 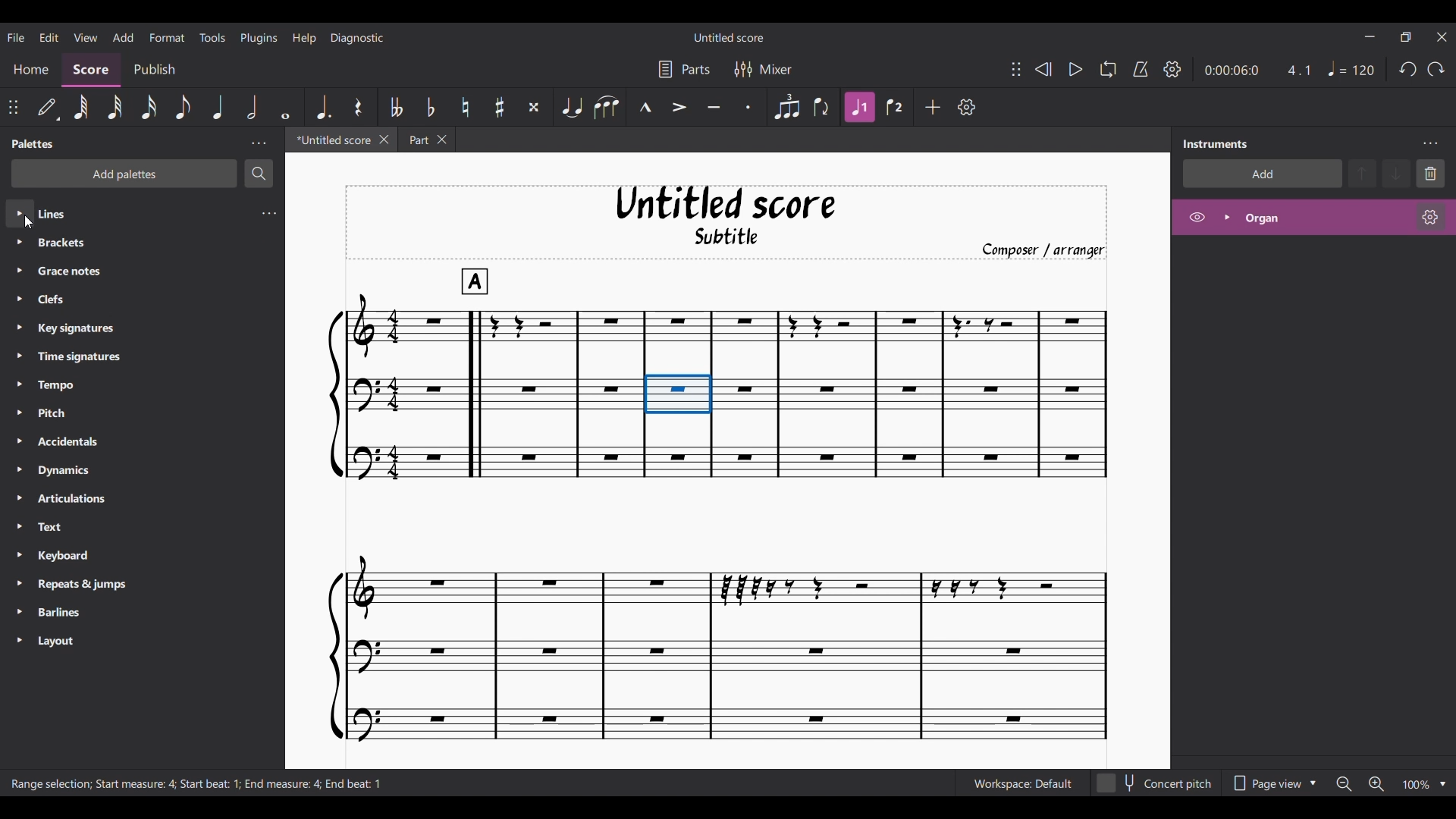 What do you see at coordinates (168, 37) in the screenshot?
I see `Format menu` at bounding box center [168, 37].